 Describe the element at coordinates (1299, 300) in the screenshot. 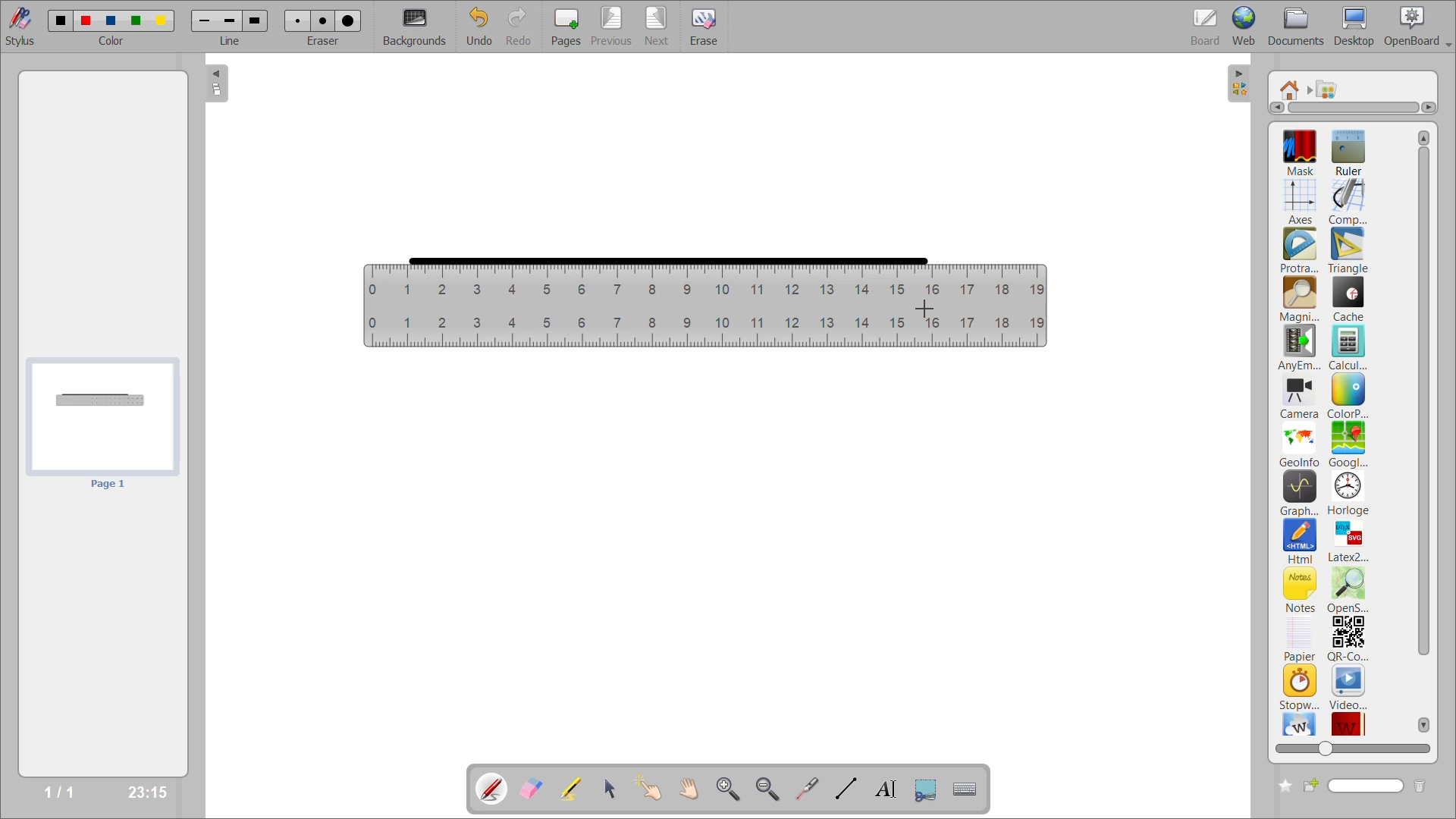

I see `magnifier` at that location.